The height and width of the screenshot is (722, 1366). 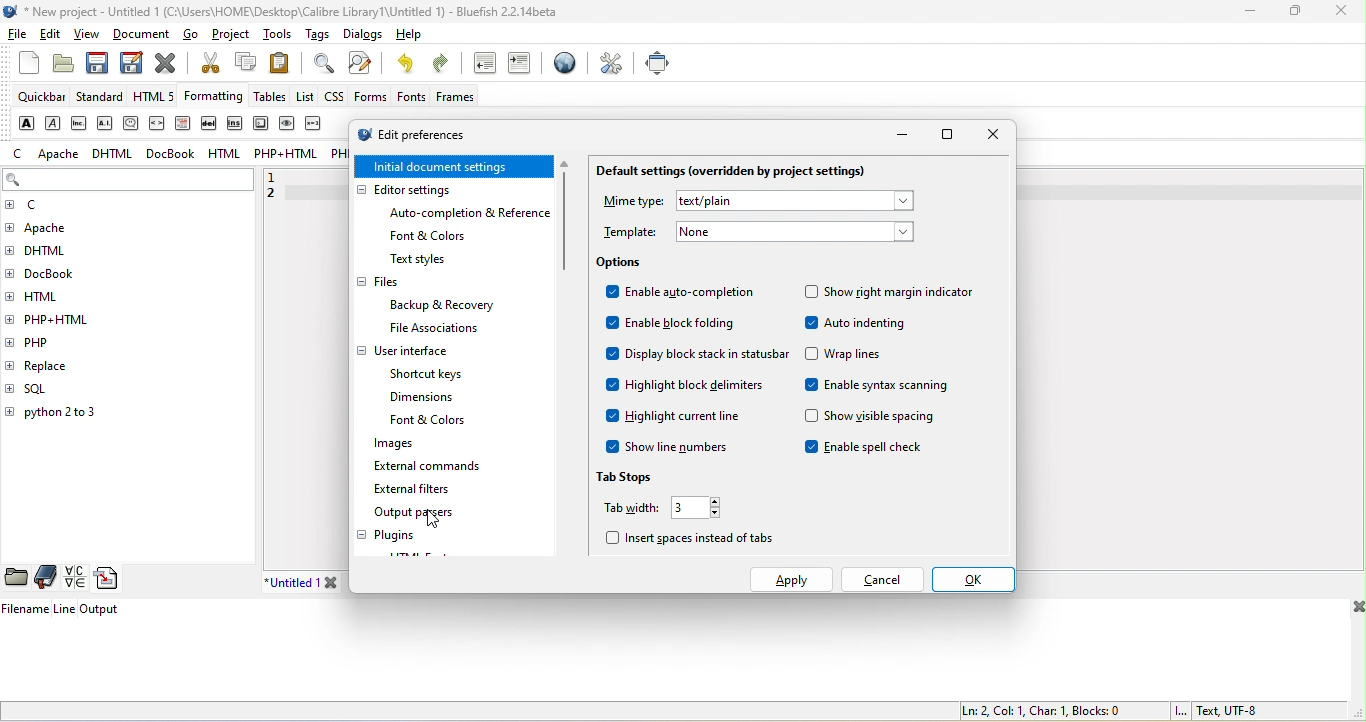 What do you see at coordinates (115, 152) in the screenshot?
I see `dhtml` at bounding box center [115, 152].